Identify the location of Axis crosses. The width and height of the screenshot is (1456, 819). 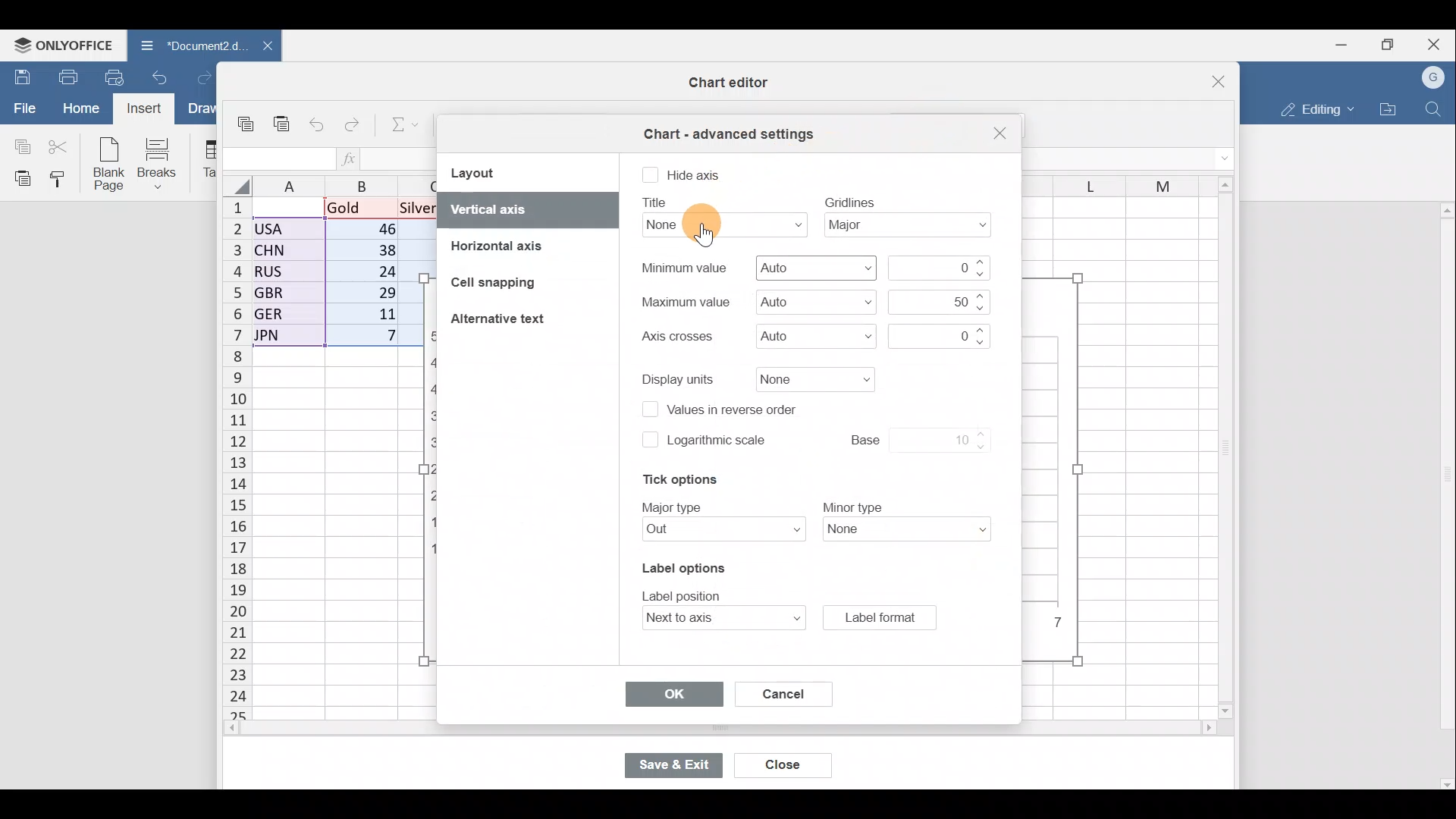
(808, 337).